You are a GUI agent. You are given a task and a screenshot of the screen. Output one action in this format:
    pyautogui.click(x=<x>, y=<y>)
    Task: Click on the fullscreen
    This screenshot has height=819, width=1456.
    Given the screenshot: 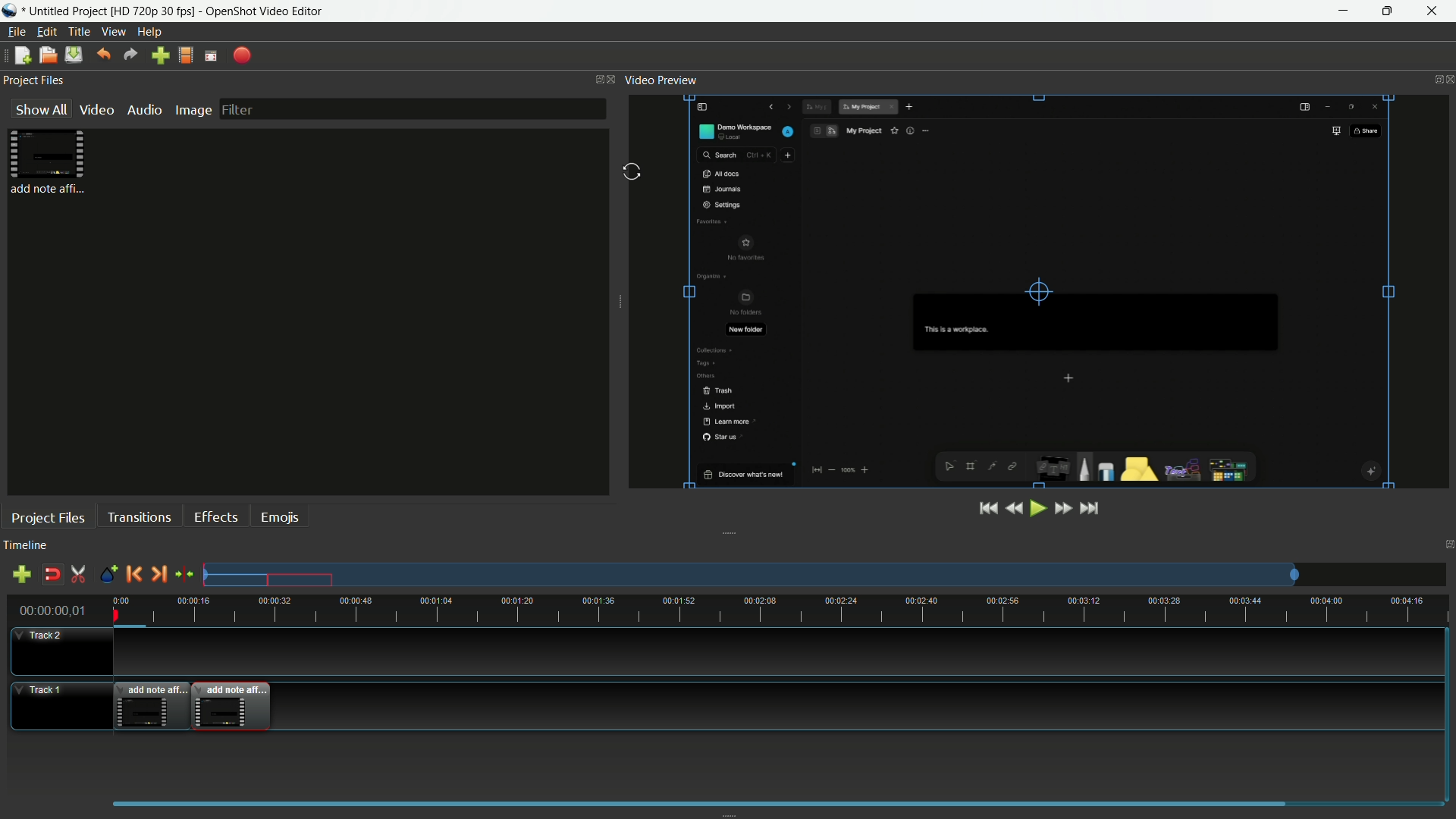 What is the action you would take?
    pyautogui.click(x=212, y=55)
    